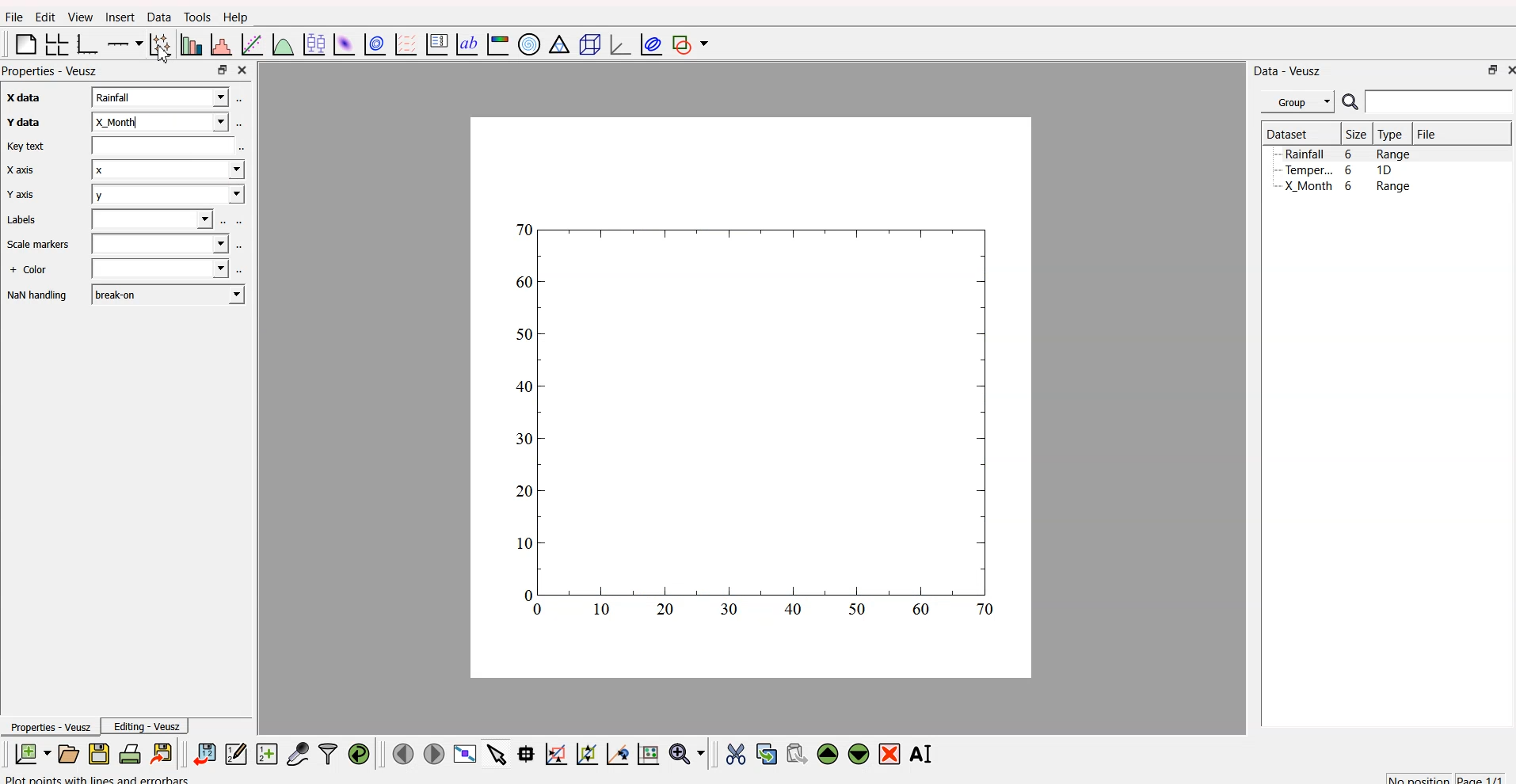 The height and width of the screenshot is (784, 1516). I want to click on reload linked dataset, so click(358, 752).